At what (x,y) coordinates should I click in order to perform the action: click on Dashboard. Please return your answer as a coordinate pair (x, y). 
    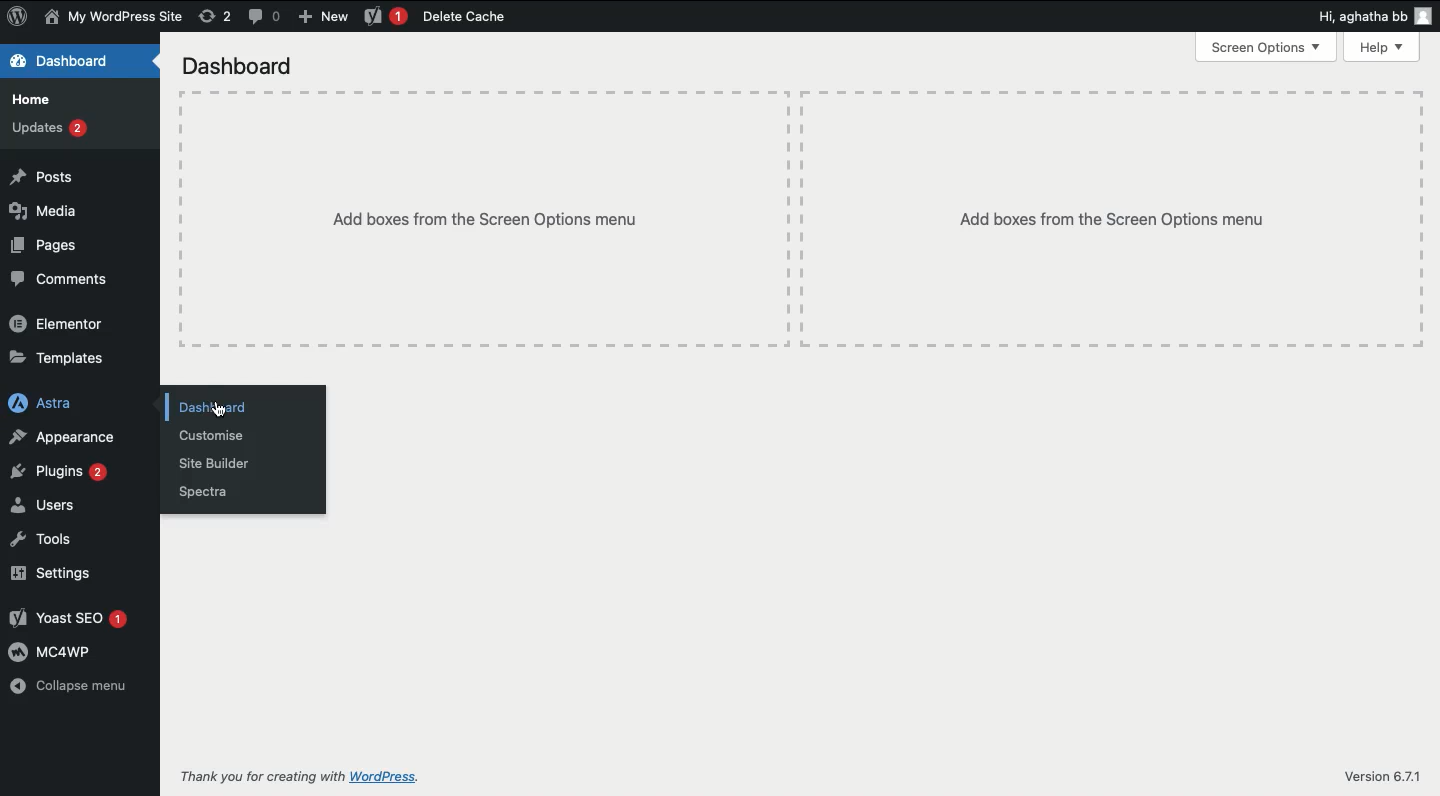
    Looking at the image, I should click on (211, 406).